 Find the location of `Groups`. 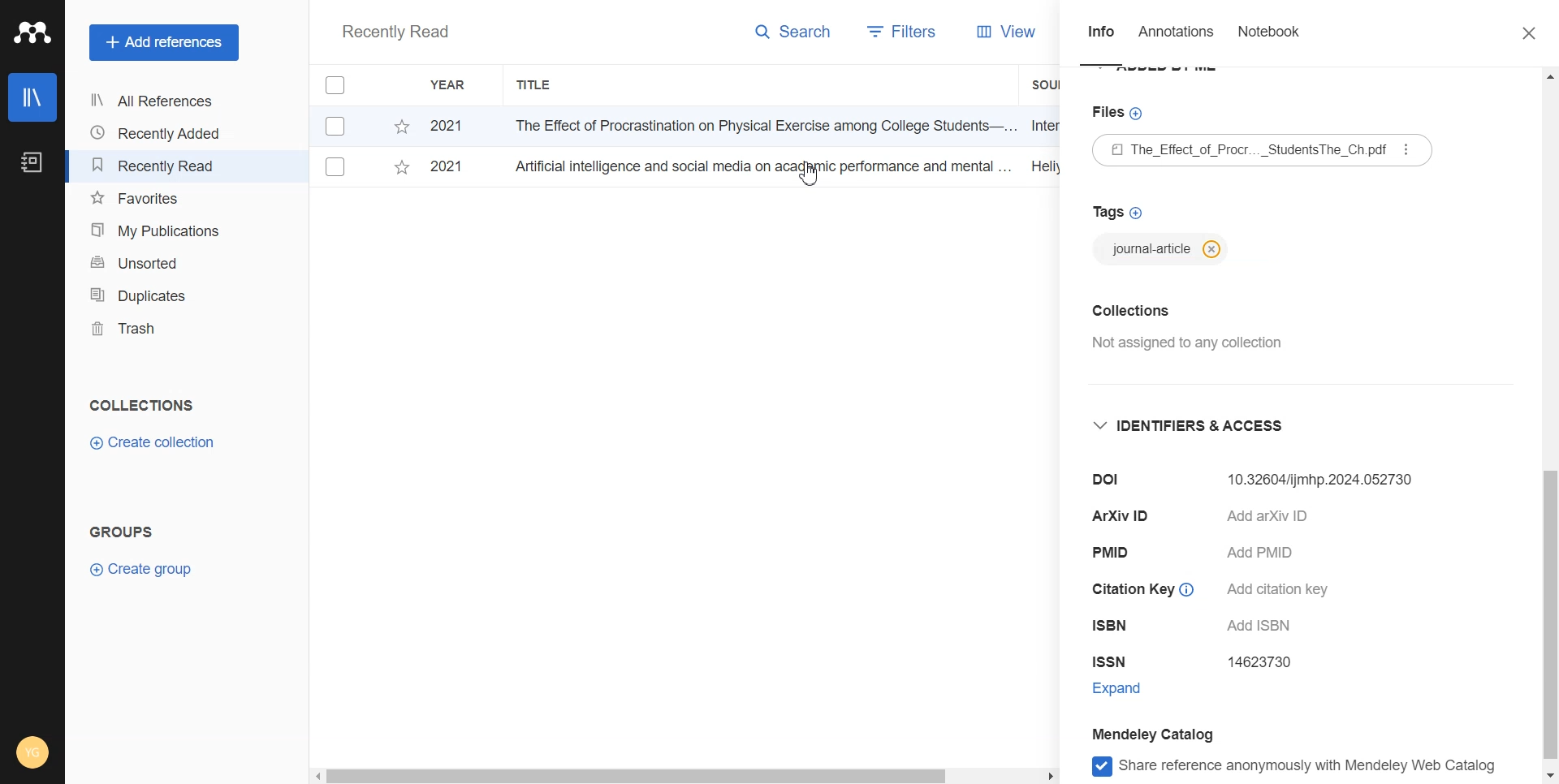

Groups is located at coordinates (126, 532).